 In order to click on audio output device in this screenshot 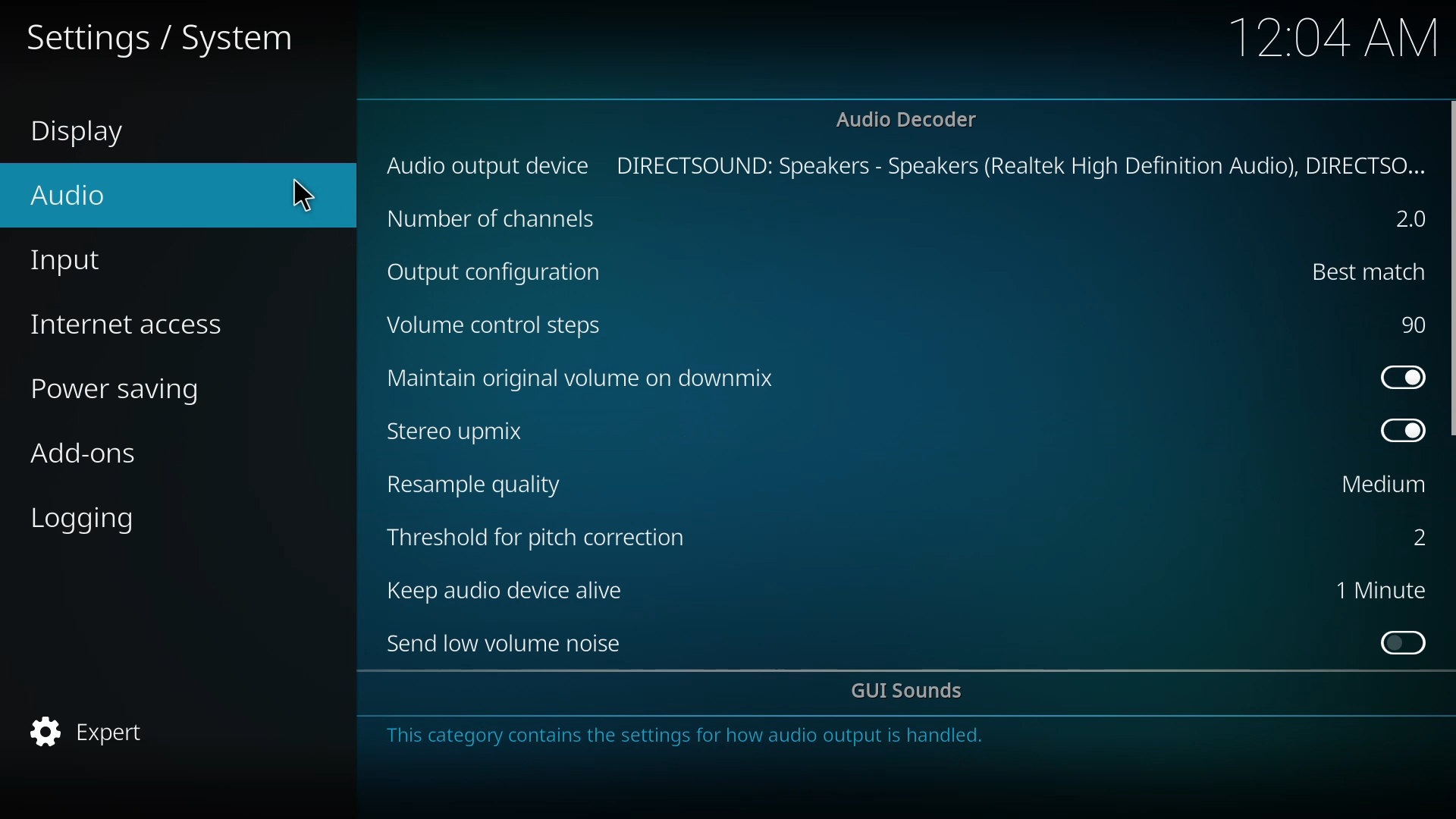, I will do `click(489, 165)`.